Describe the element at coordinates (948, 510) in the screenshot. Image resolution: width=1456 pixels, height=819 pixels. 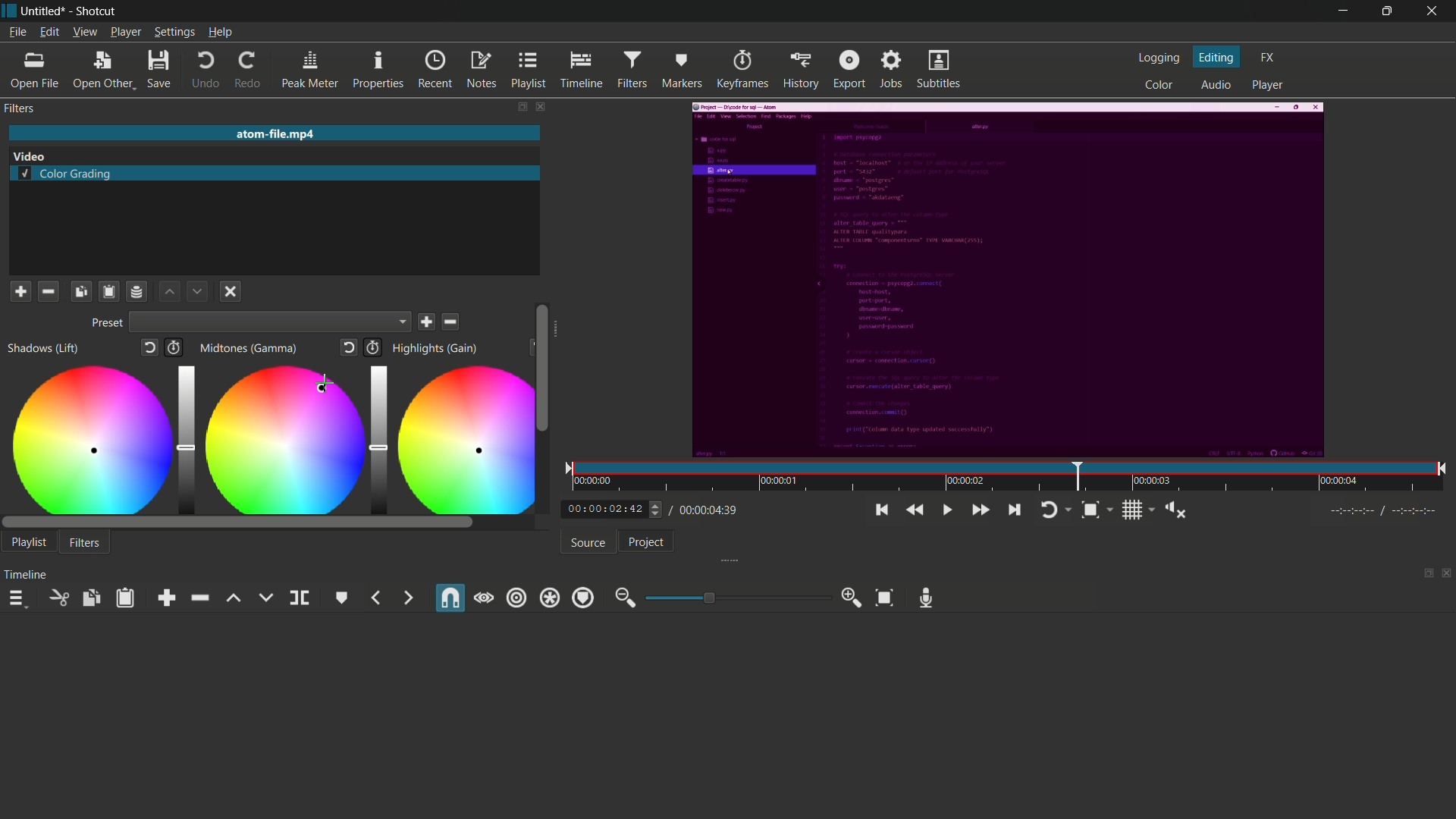
I see `toggle play or pause` at that location.